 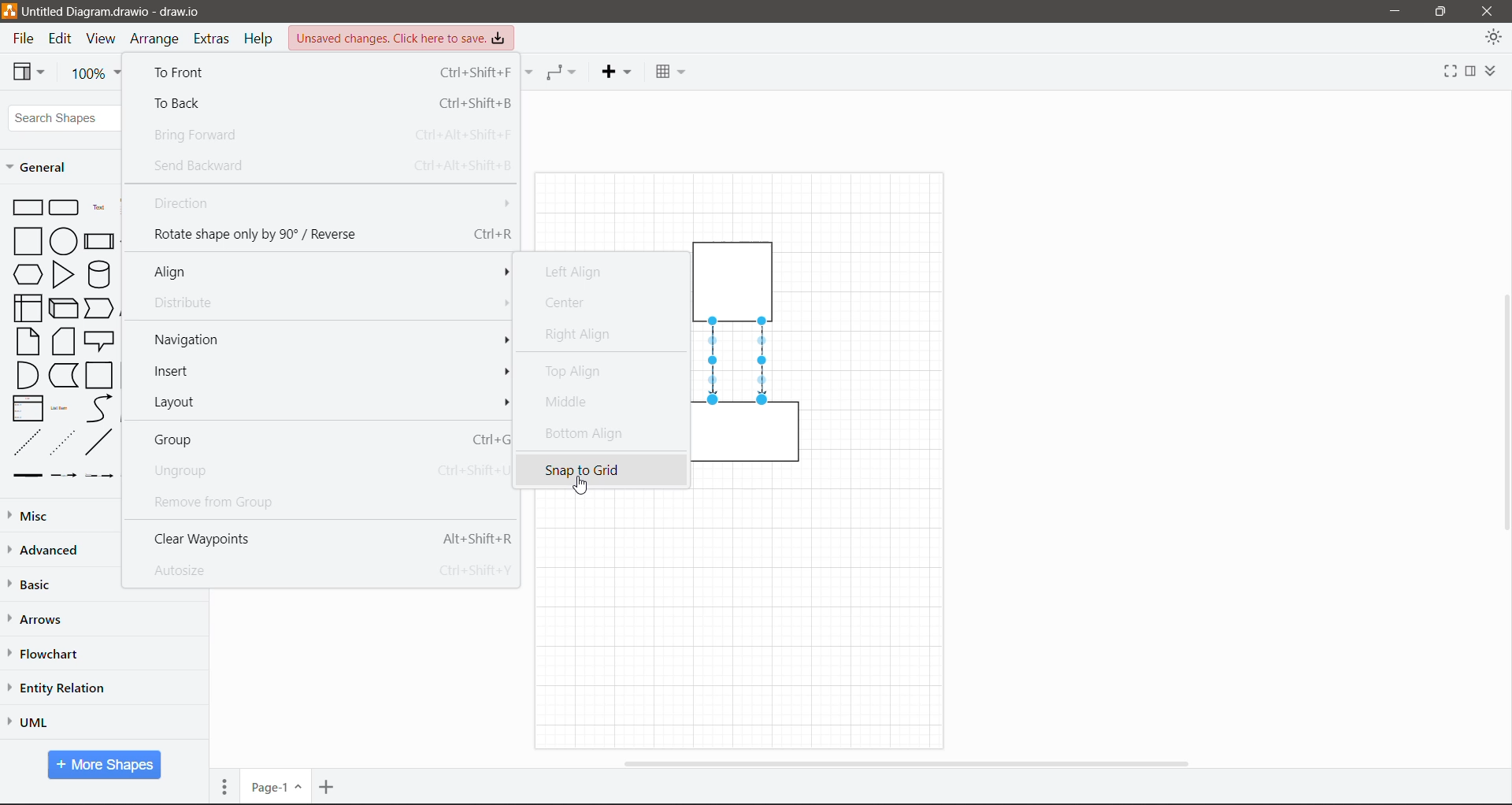 What do you see at coordinates (1470, 72) in the screenshot?
I see `Format` at bounding box center [1470, 72].